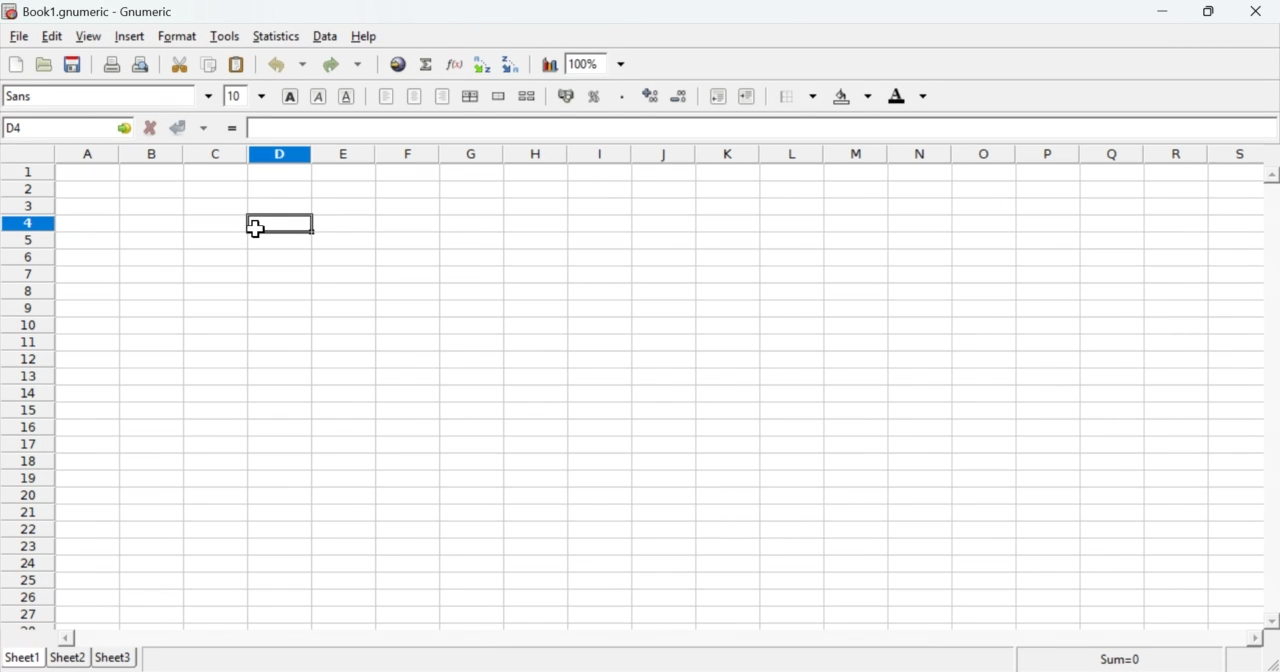 The height and width of the screenshot is (672, 1280). I want to click on Format selection as percentage, so click(594, 99).